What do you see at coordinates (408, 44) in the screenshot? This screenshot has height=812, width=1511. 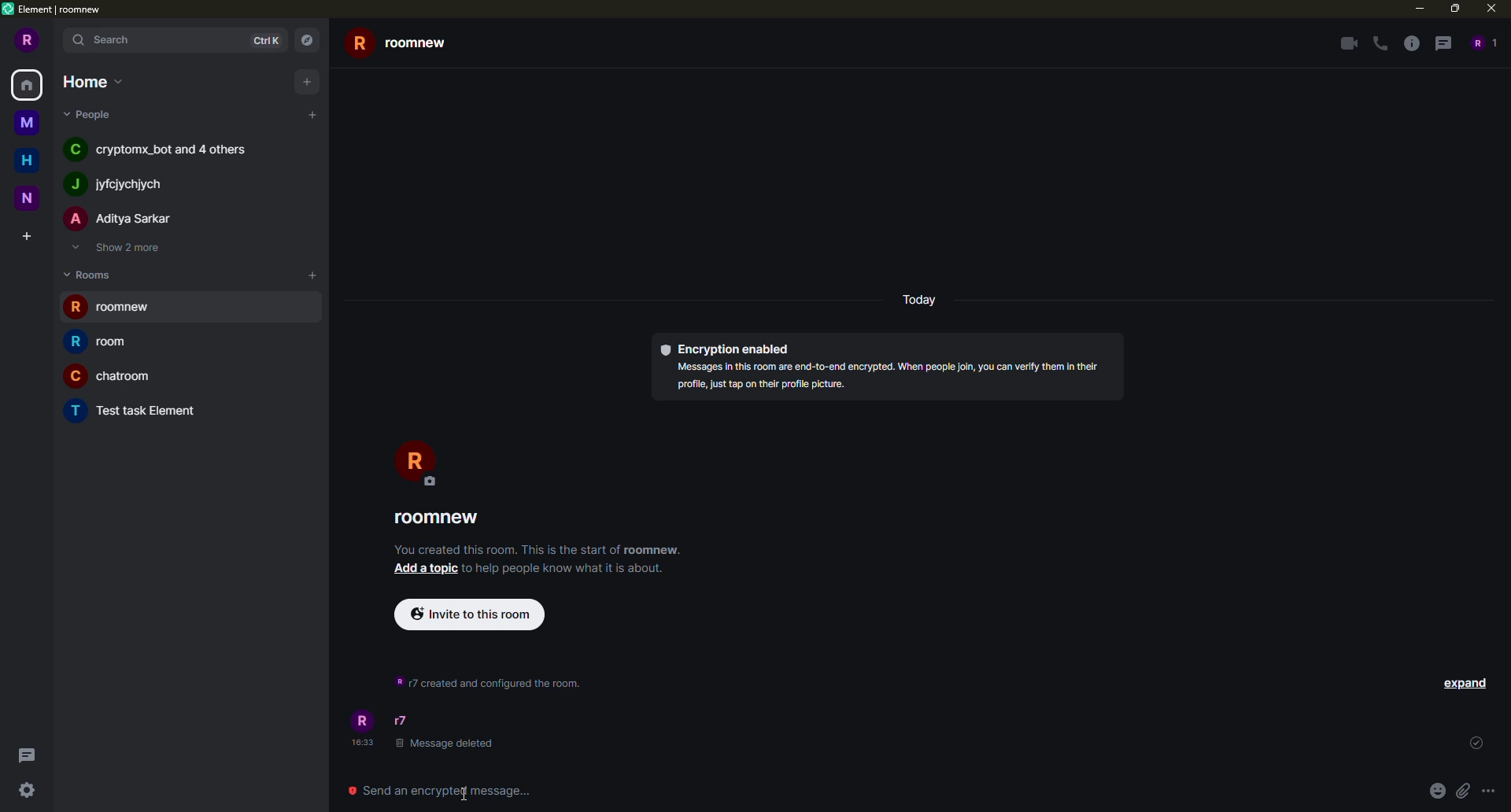 I see `room` at bounding box center [408, 44].